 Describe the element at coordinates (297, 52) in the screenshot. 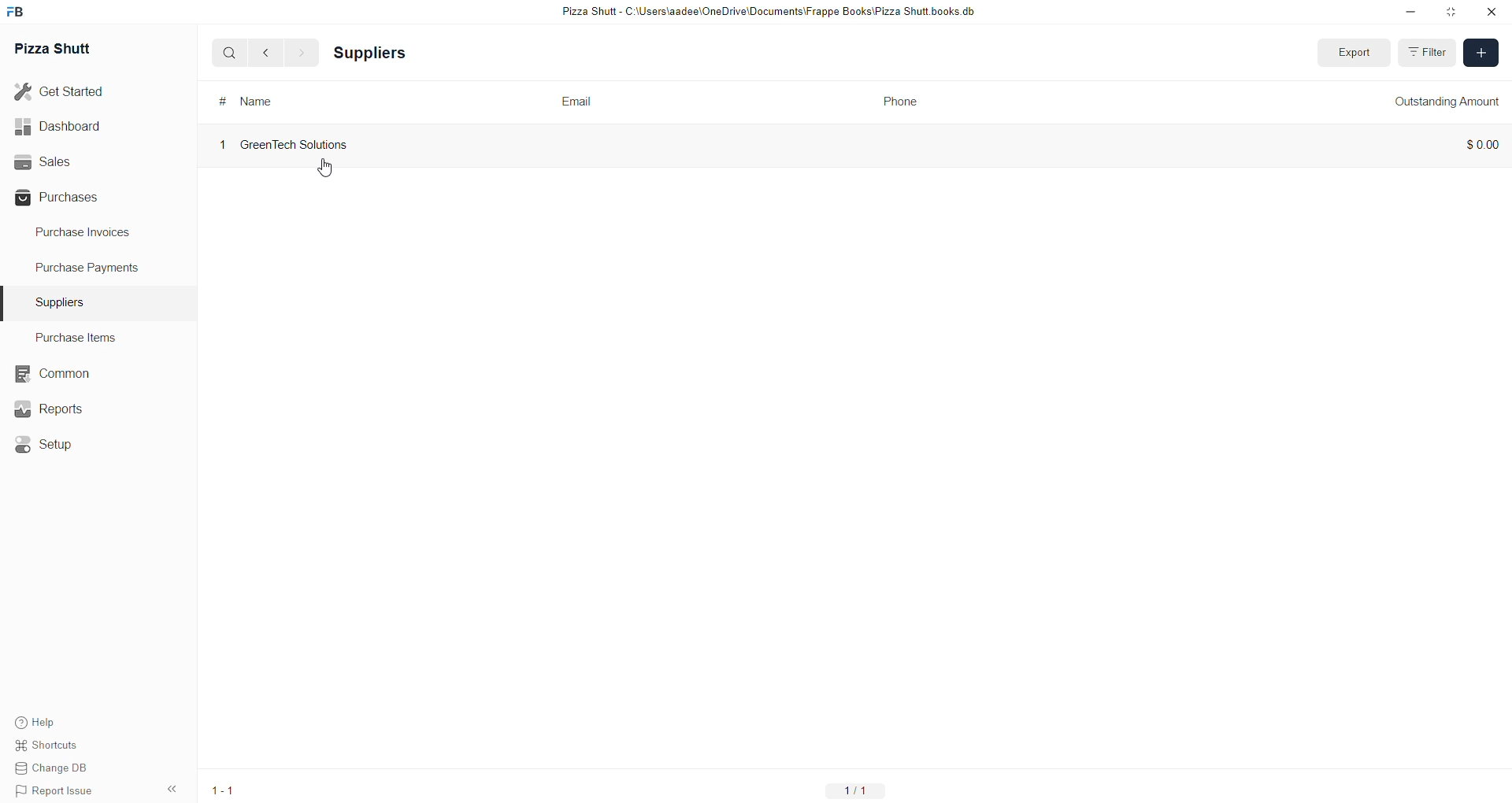

I see `next page` at that location.